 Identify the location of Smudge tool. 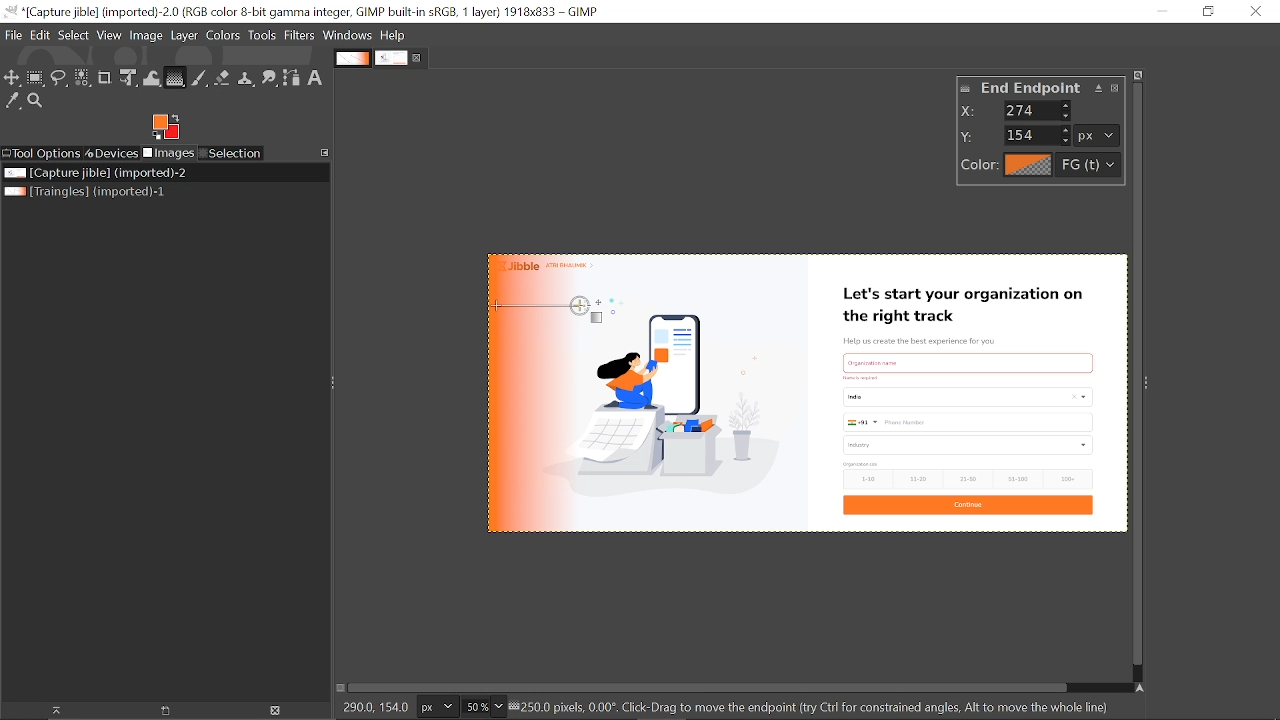
(268, 77).